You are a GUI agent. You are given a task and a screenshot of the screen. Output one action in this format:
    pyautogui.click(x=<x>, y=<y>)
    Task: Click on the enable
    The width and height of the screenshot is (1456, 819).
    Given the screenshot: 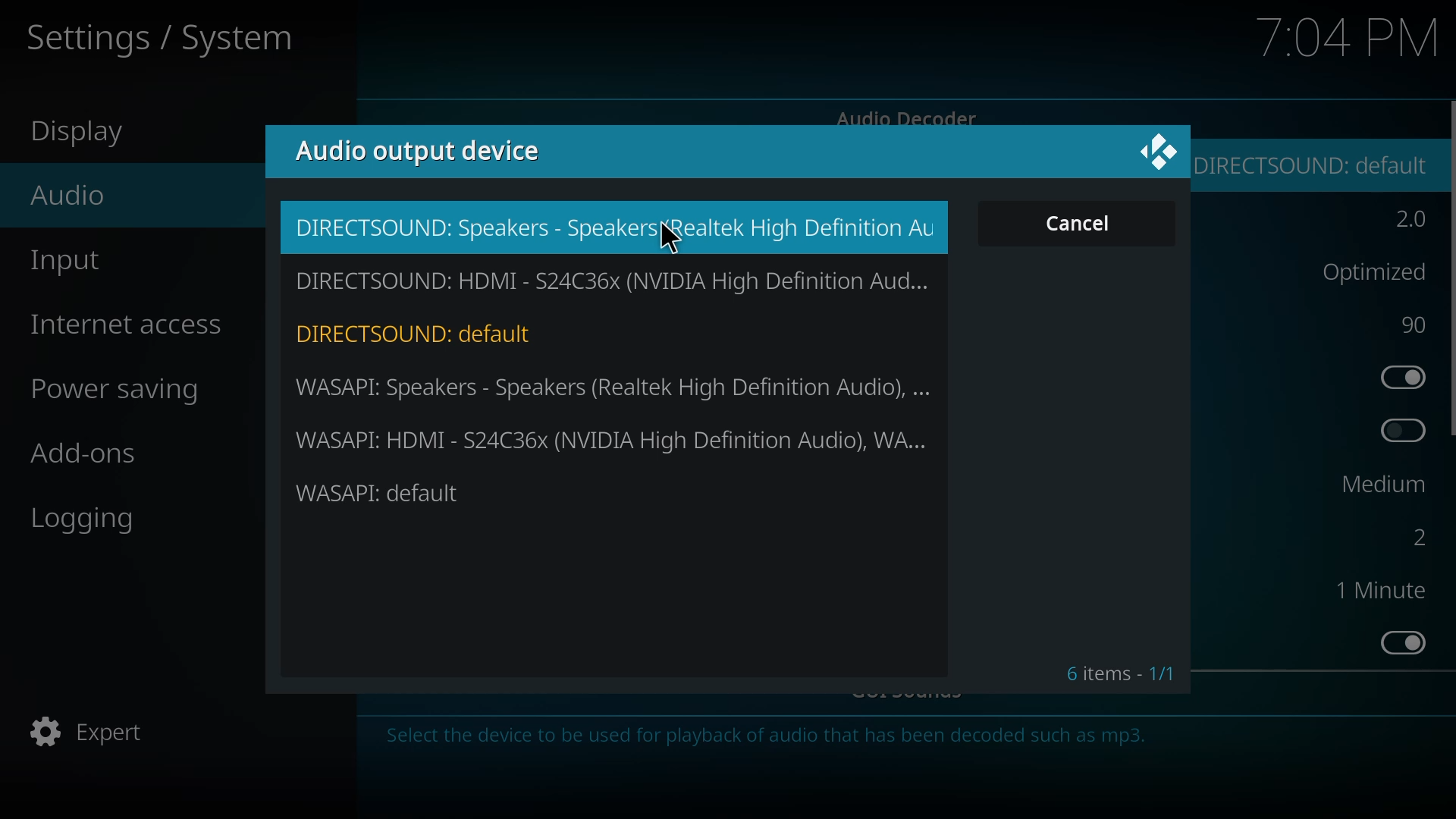 What is the action you would take?
    pyautogui.click(x=1404, y=430)
    